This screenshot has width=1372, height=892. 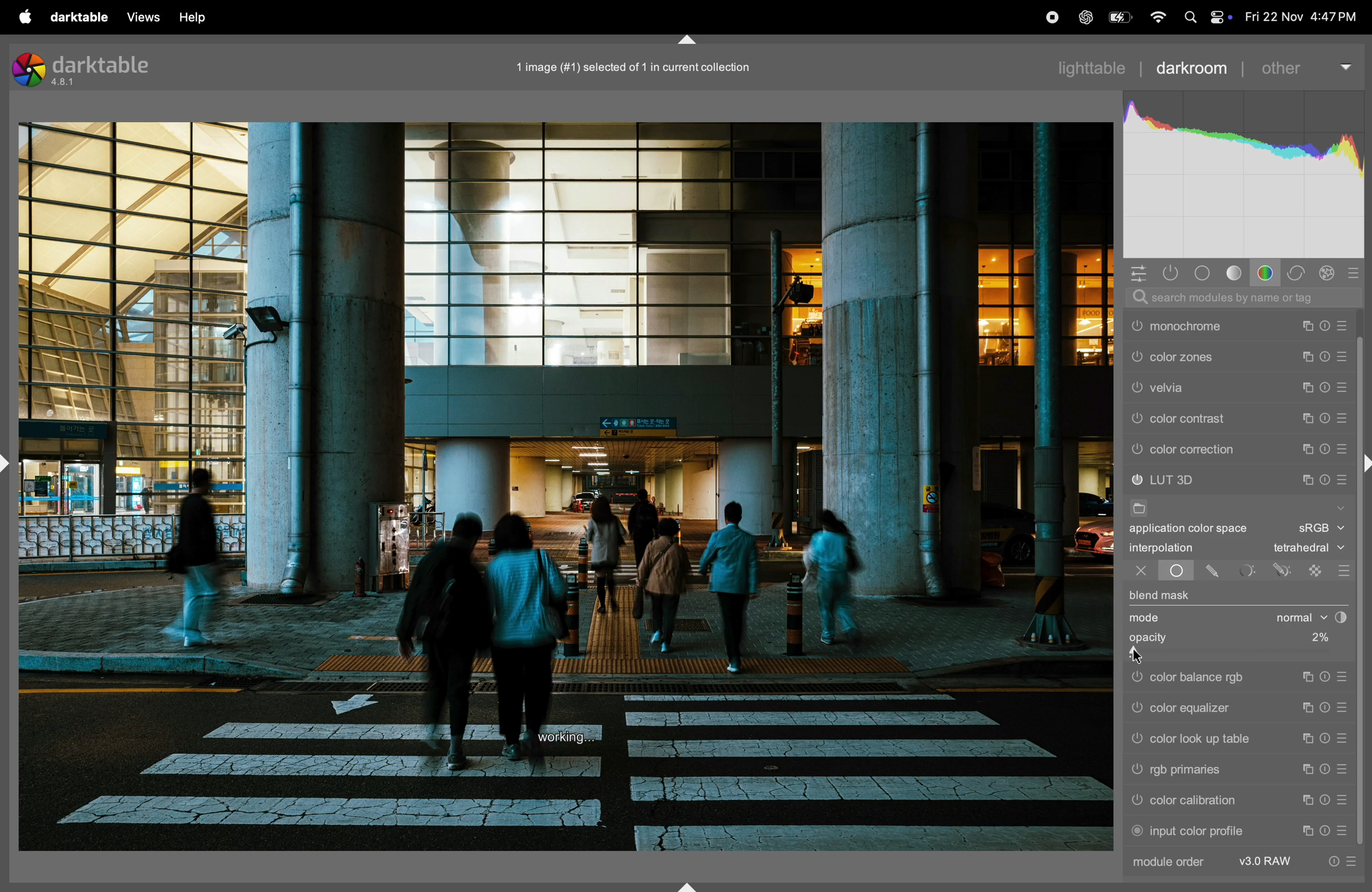 What do you see at coordinates (1303, 17) in the screenshot?
I see `date and time` at bounding box center [1303, 17].